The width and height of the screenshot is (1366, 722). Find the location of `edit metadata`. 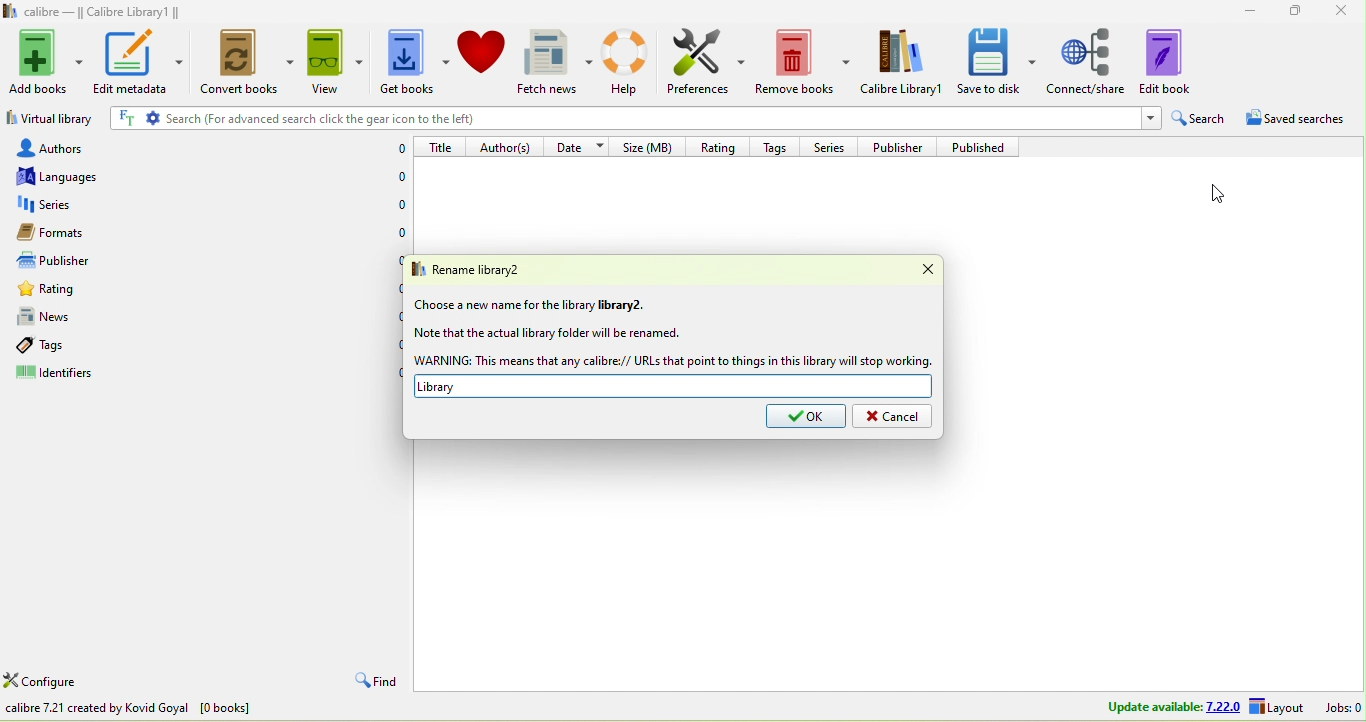

edit metadata is located at coordinates (138, 61).